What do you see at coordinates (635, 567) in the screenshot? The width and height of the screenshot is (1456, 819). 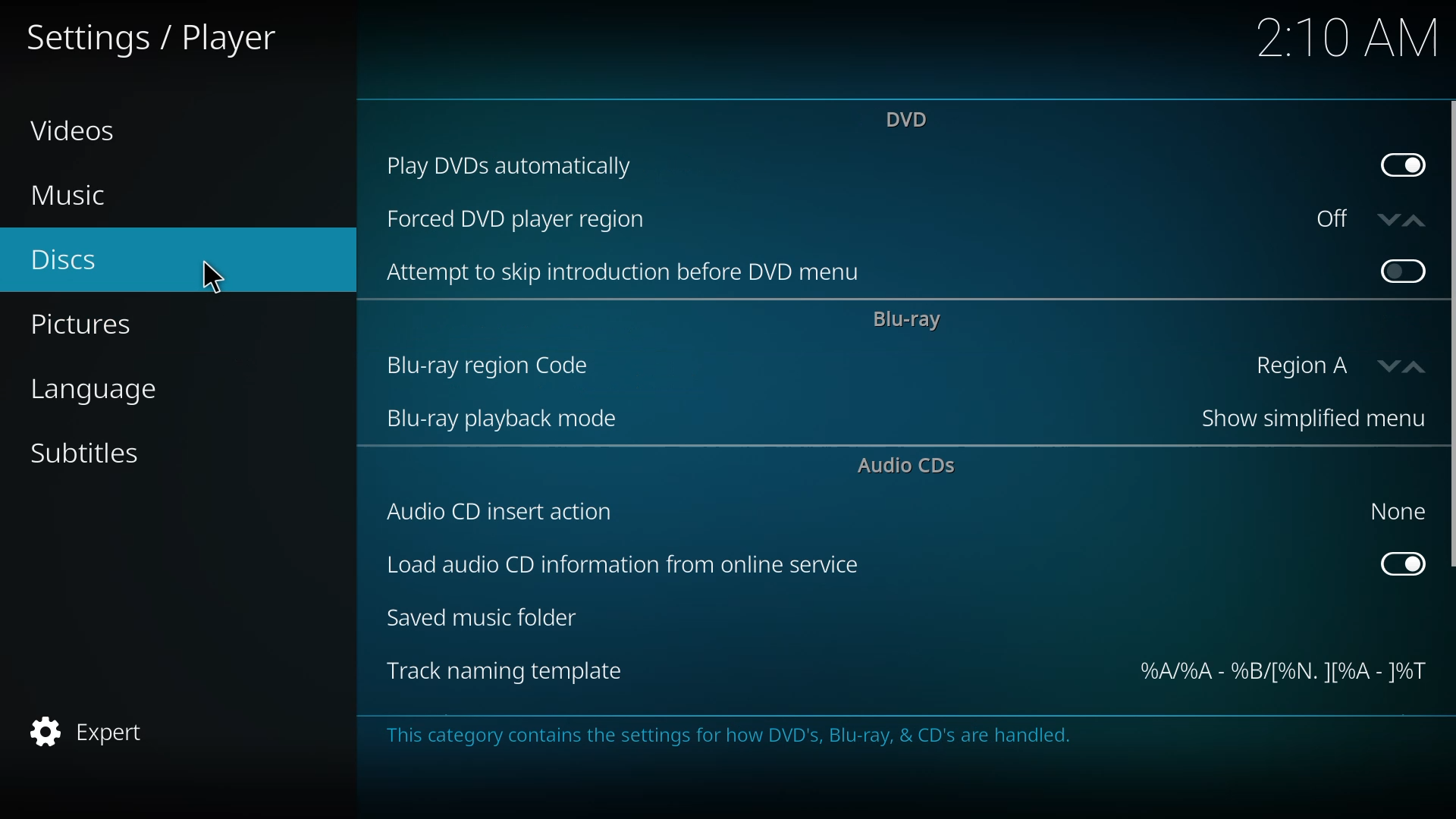 I see `load audio cd info from online service` at bounding box center [635, 567].